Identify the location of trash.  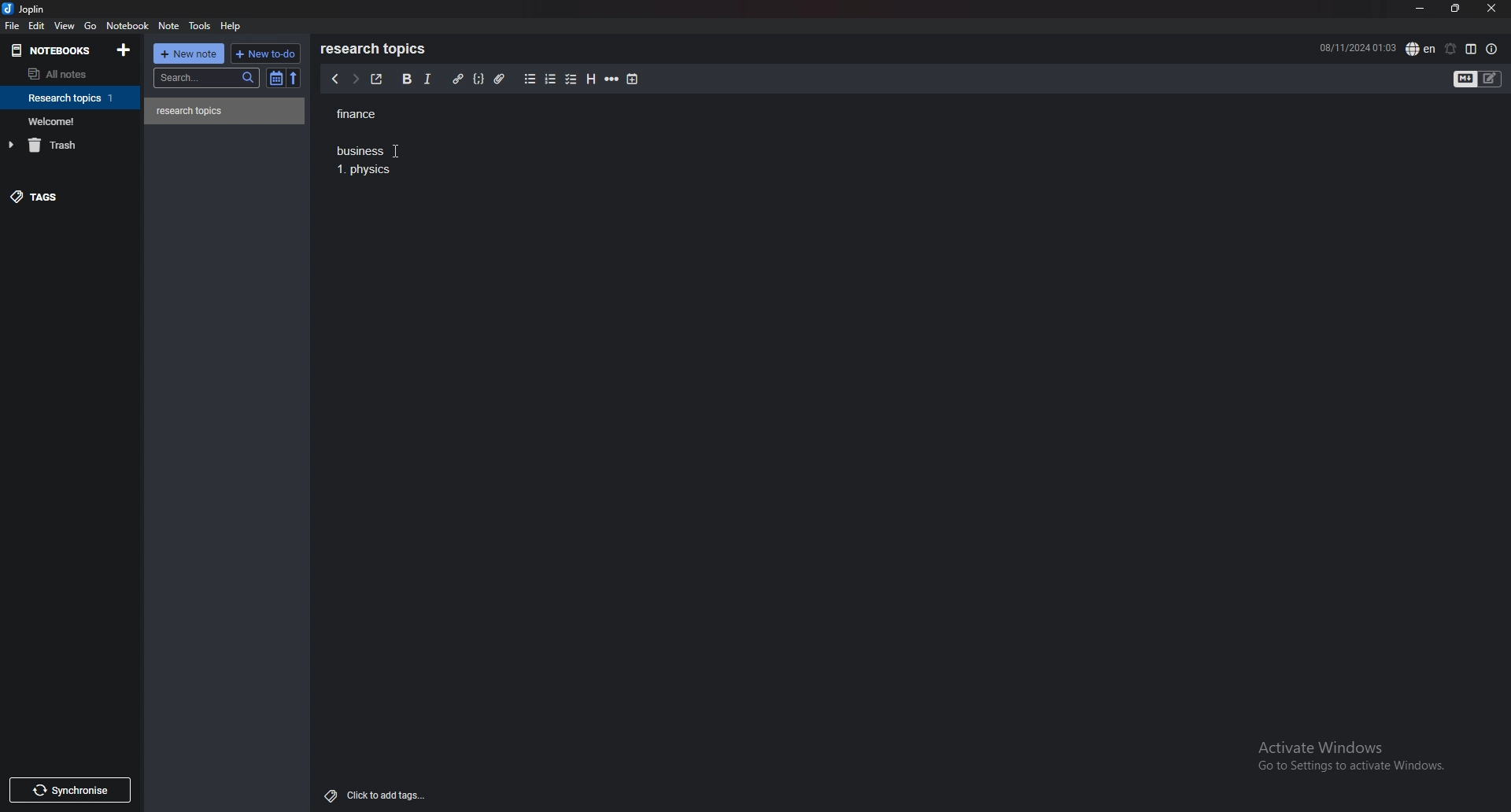
(73, 145).